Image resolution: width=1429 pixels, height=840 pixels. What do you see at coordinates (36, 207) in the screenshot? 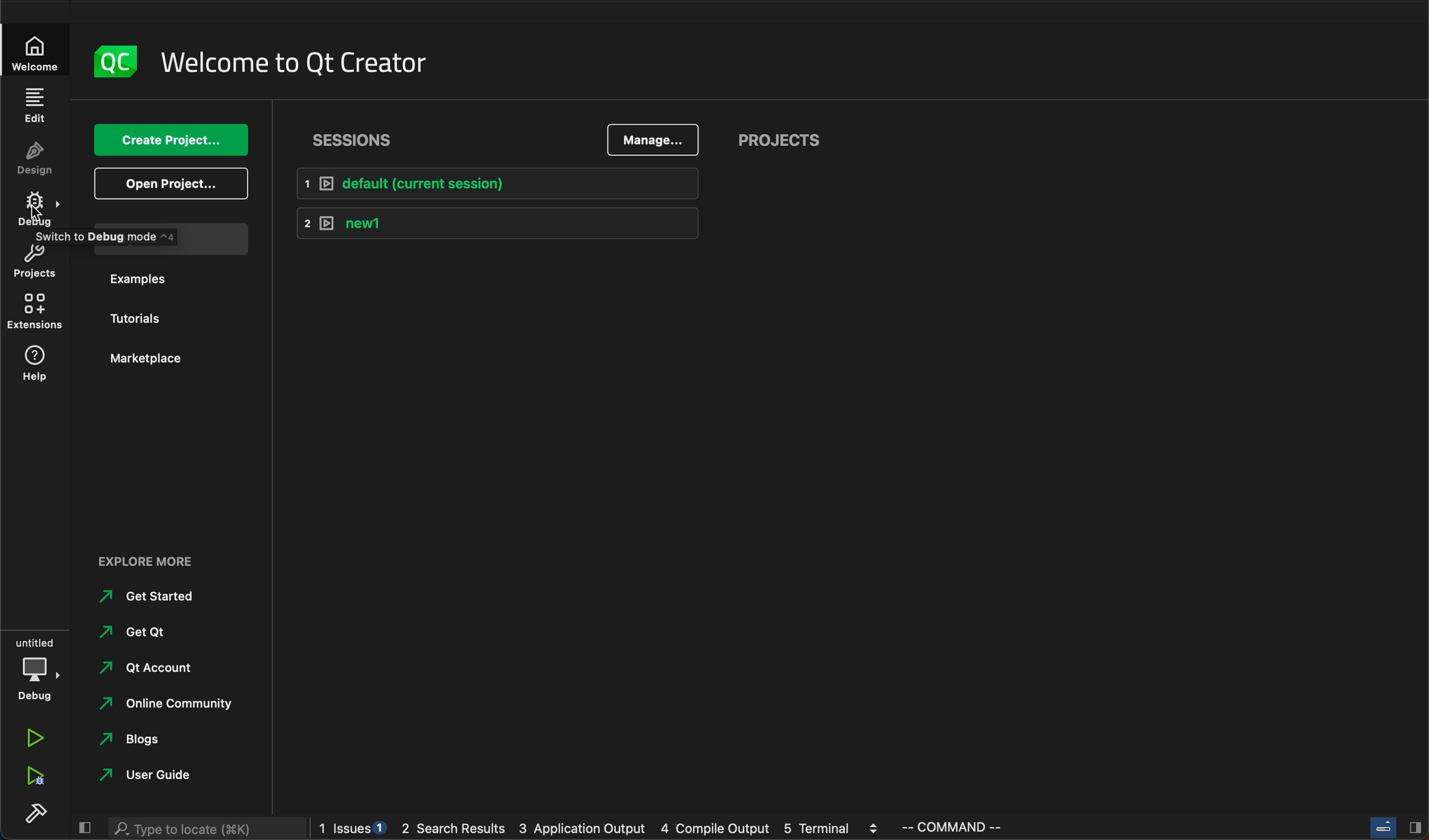
I see `debug` at bounding box center [36, 207].